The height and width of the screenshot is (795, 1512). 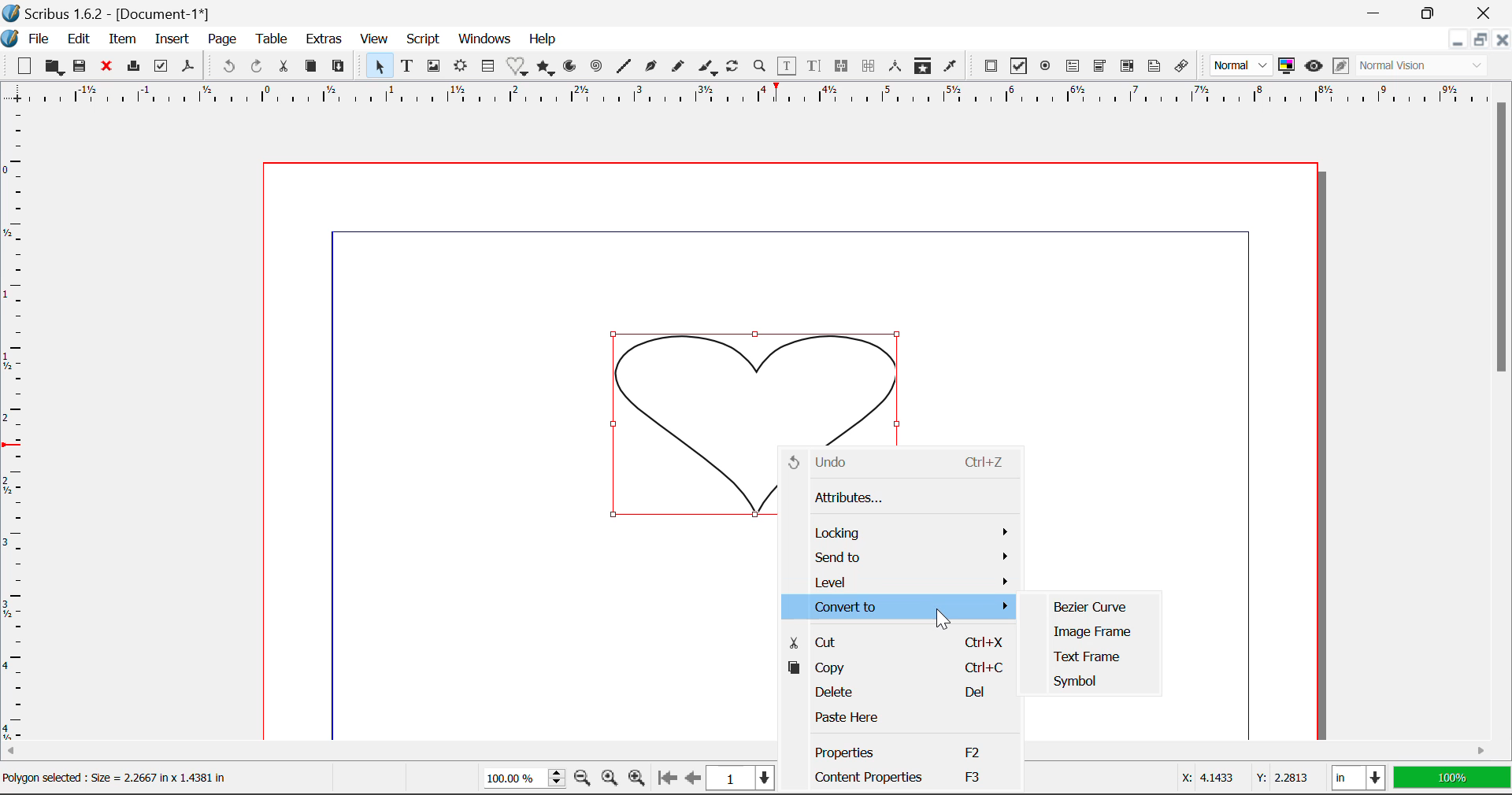 I want to click on Item, so click(x=123, y=40).